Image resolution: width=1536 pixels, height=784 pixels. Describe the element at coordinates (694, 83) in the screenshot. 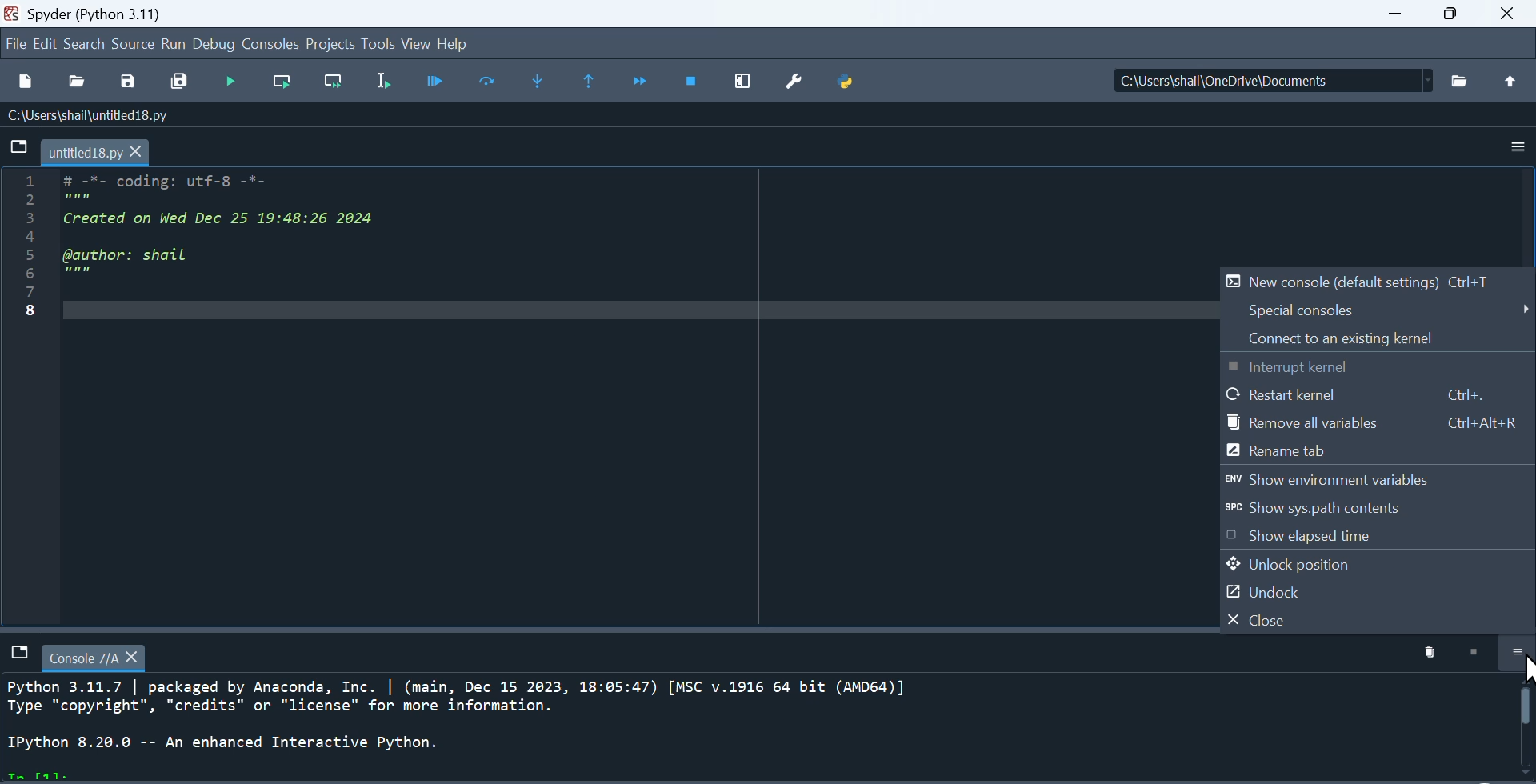

I see `stop debugging` at that location.